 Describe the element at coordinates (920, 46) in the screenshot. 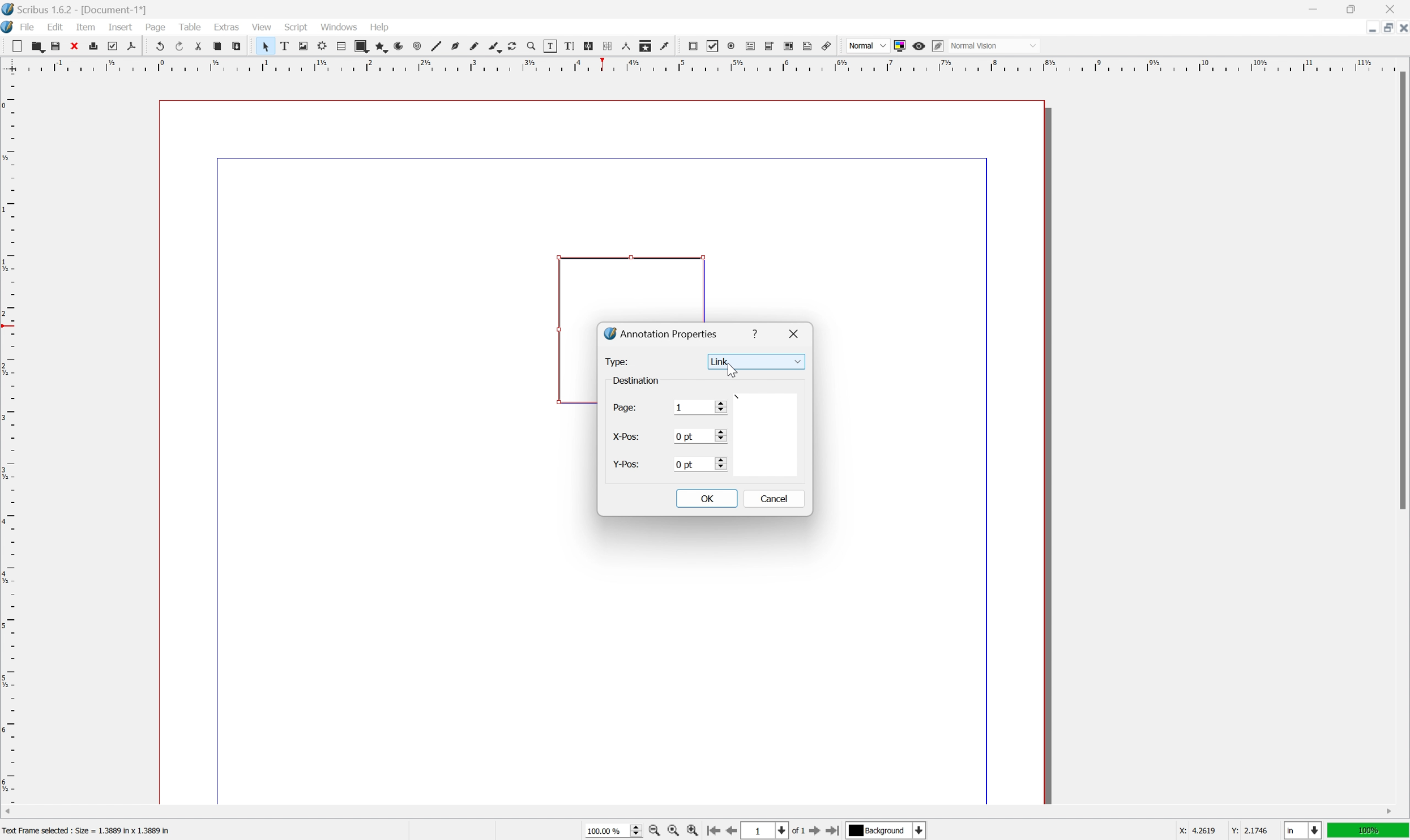

I see `preview mode` at that location.